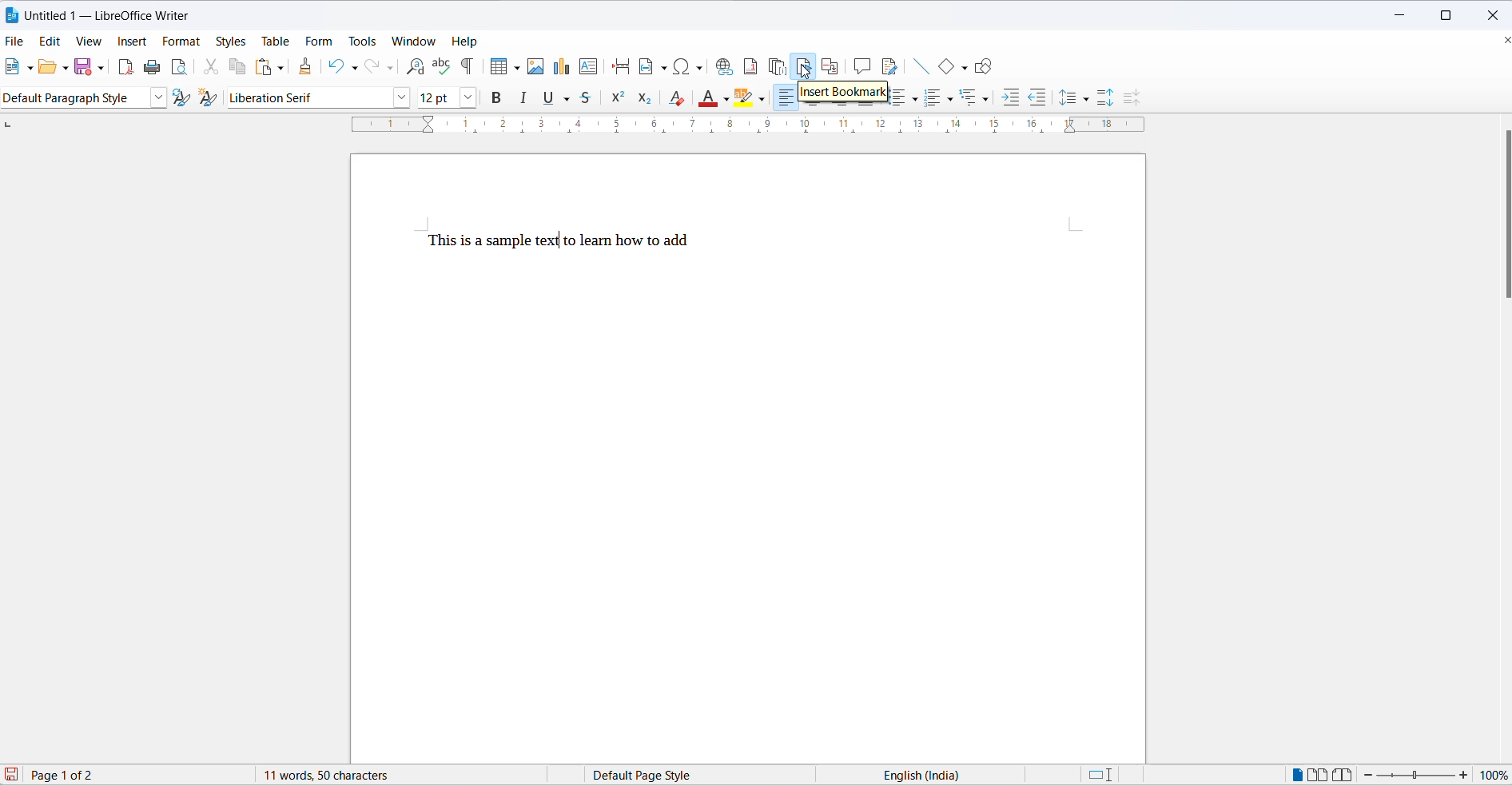 This screenshot has height=786, width=1512. Describe the element at coordinates (262, 65) in the screenshot. I see `paste` at that location.